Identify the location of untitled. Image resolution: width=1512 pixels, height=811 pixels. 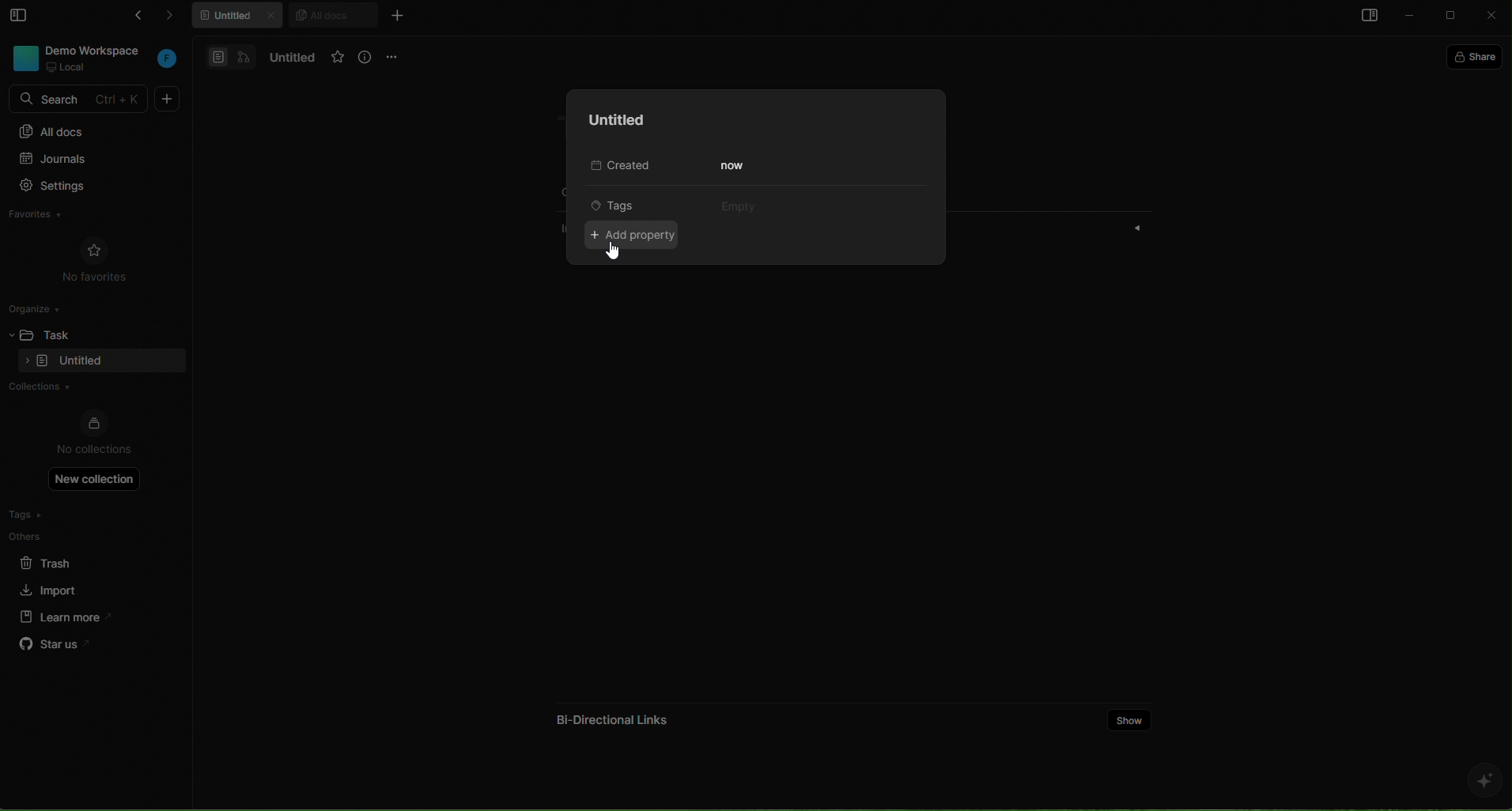
(289, 58).